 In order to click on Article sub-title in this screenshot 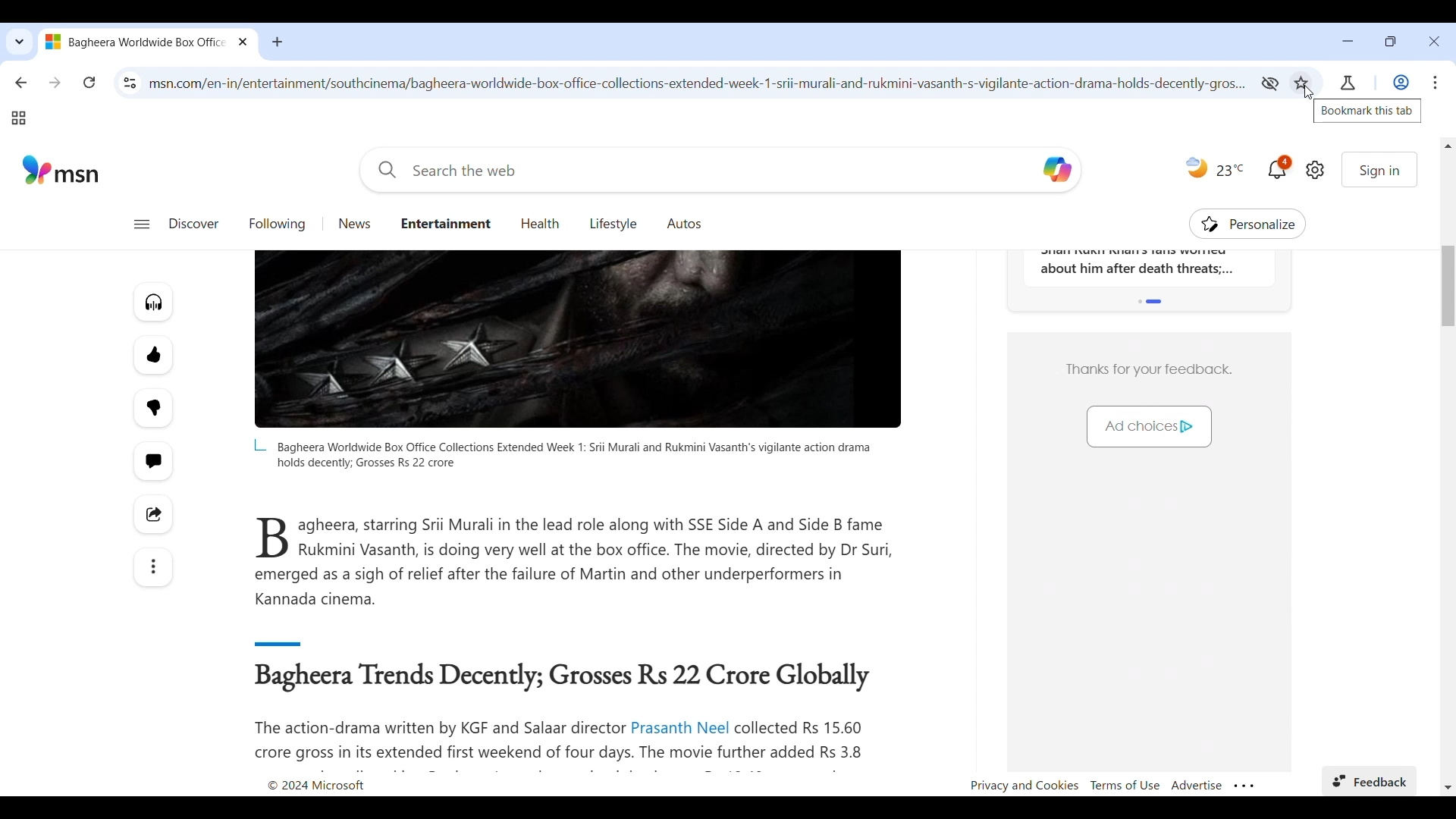, I will do `click(566, 678)`.